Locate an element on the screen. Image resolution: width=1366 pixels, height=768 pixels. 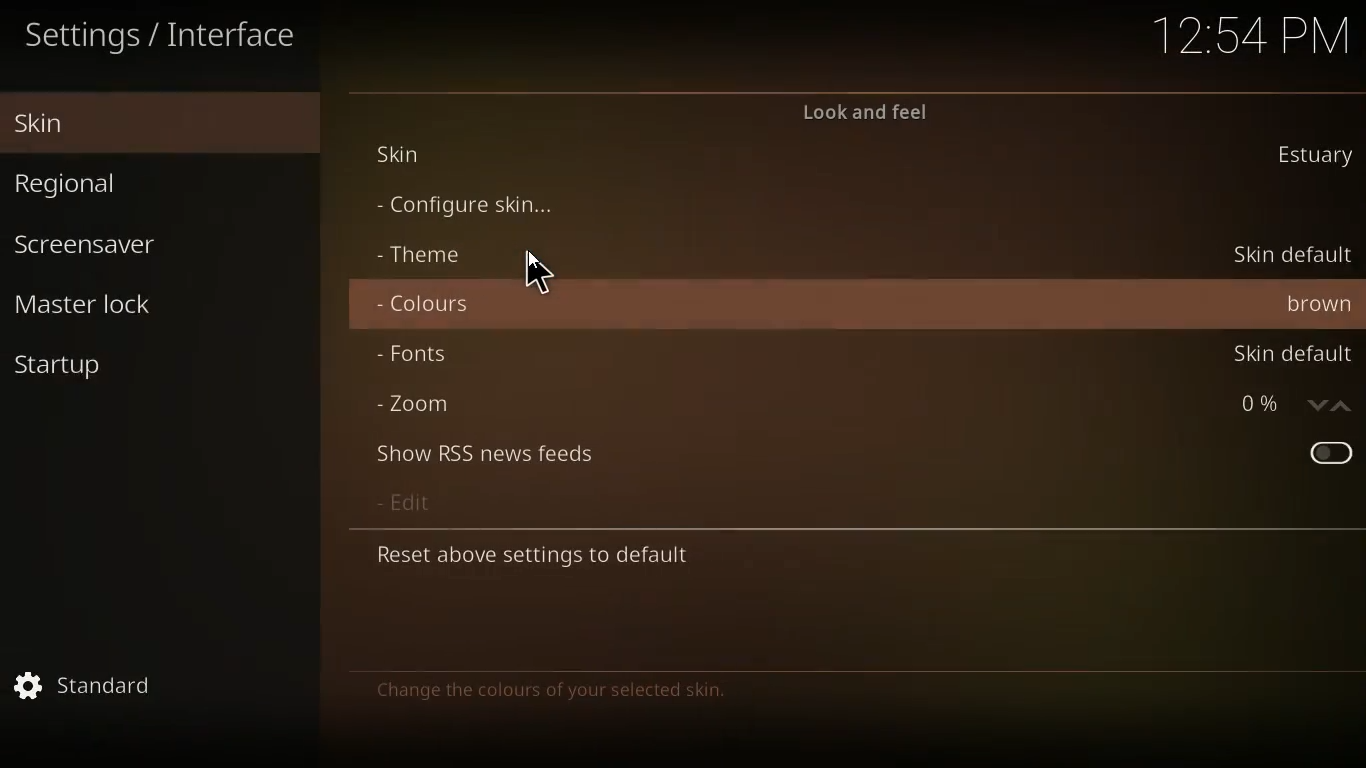
toggle switch is located at coordinates (1325, 452).